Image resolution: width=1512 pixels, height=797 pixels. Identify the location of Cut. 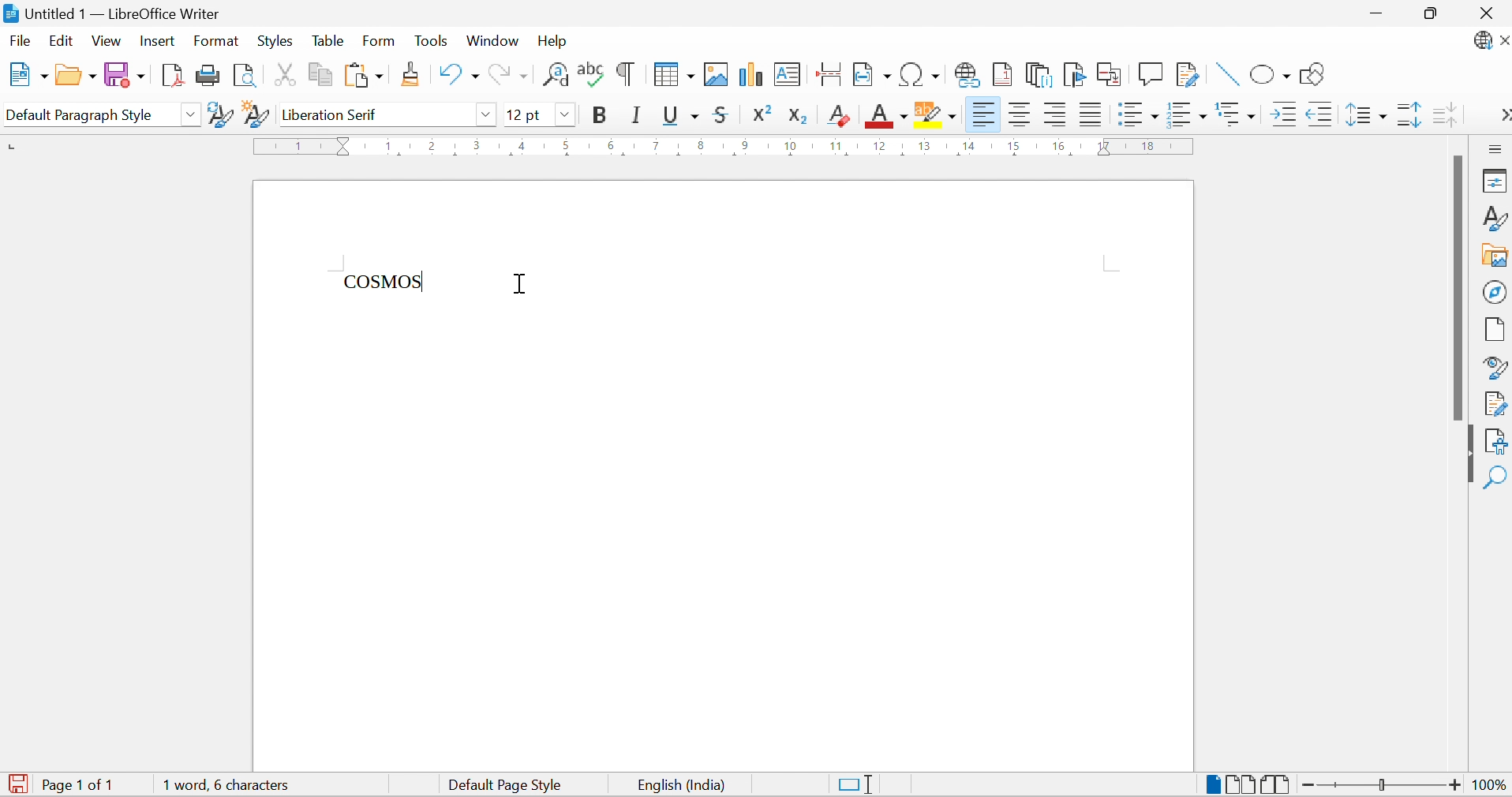
(281, 74).